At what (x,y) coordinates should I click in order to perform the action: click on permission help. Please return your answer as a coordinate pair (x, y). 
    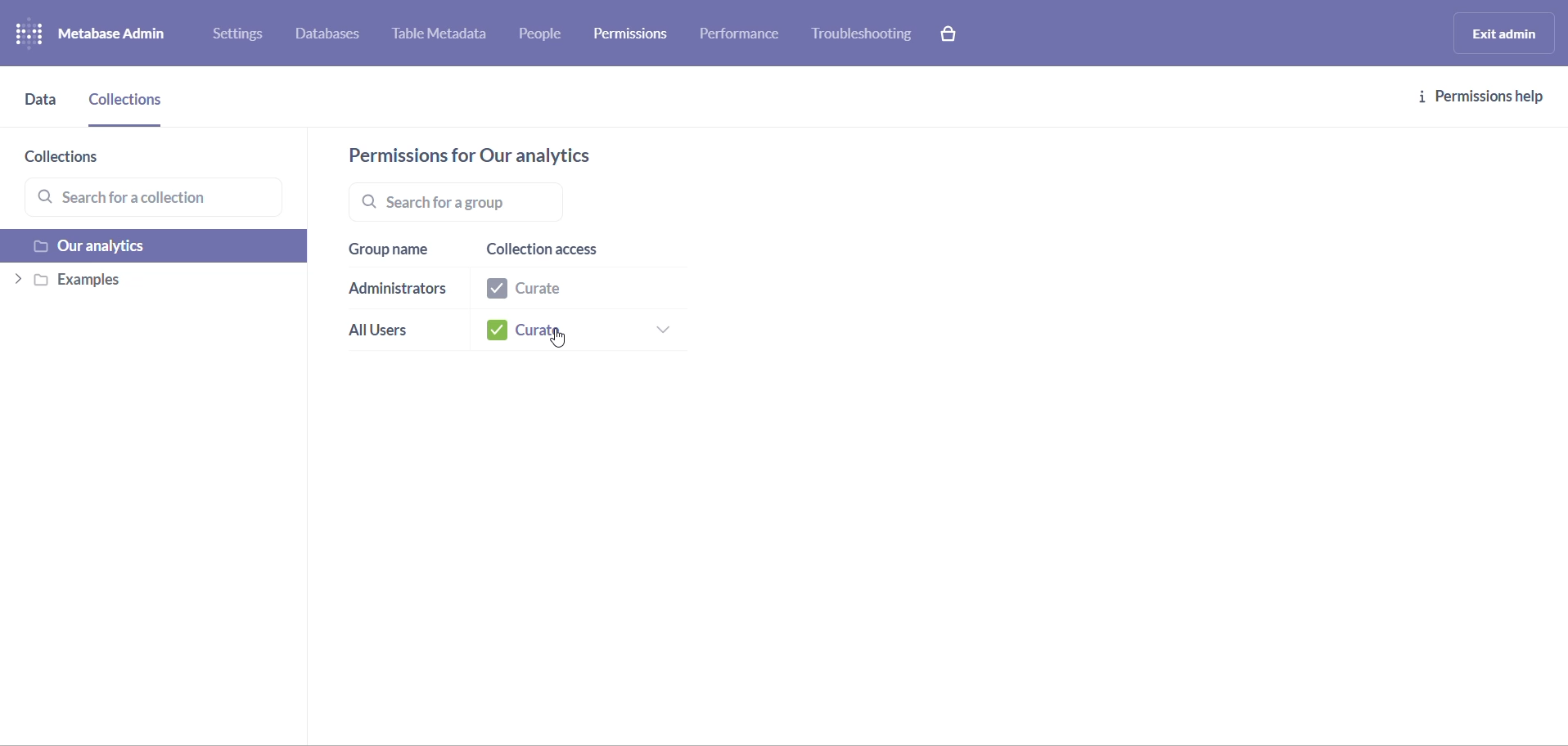
    Looking at the image, I should click on (1482, 97).